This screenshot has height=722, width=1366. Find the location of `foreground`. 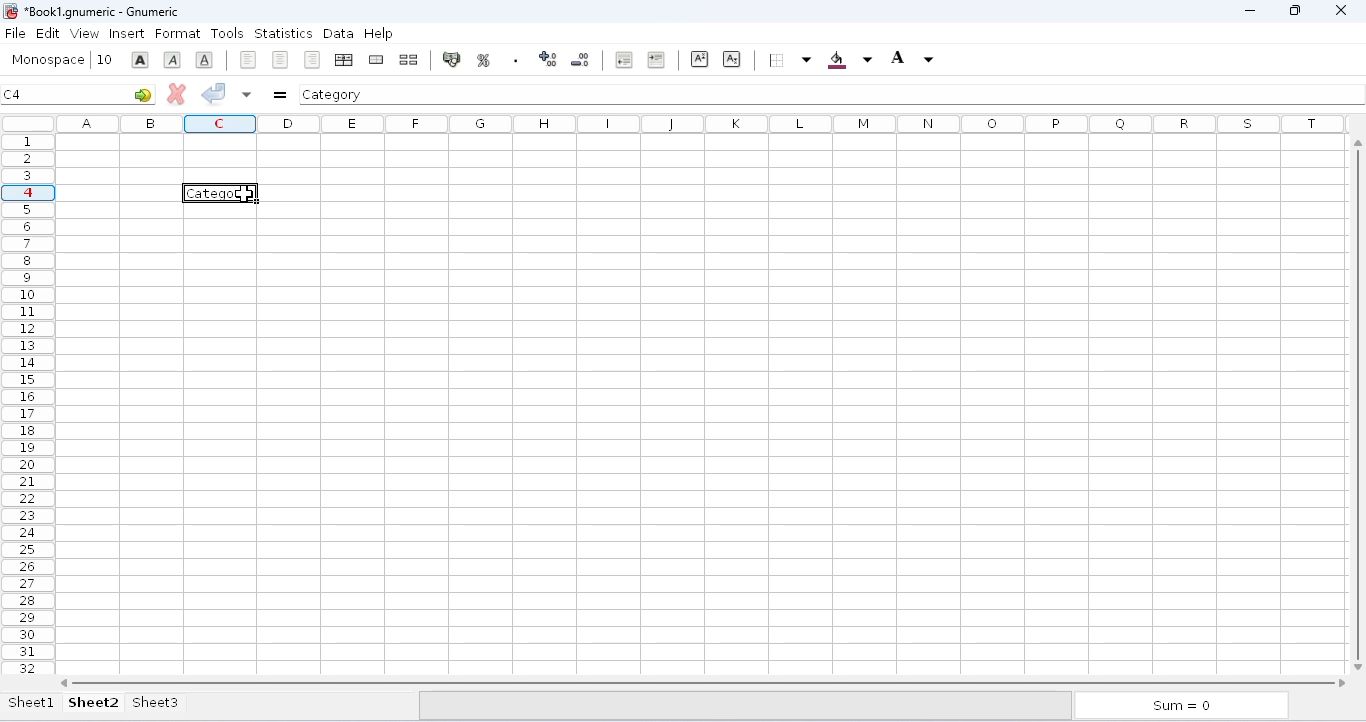

foreground is located at coordinates (912, 58).